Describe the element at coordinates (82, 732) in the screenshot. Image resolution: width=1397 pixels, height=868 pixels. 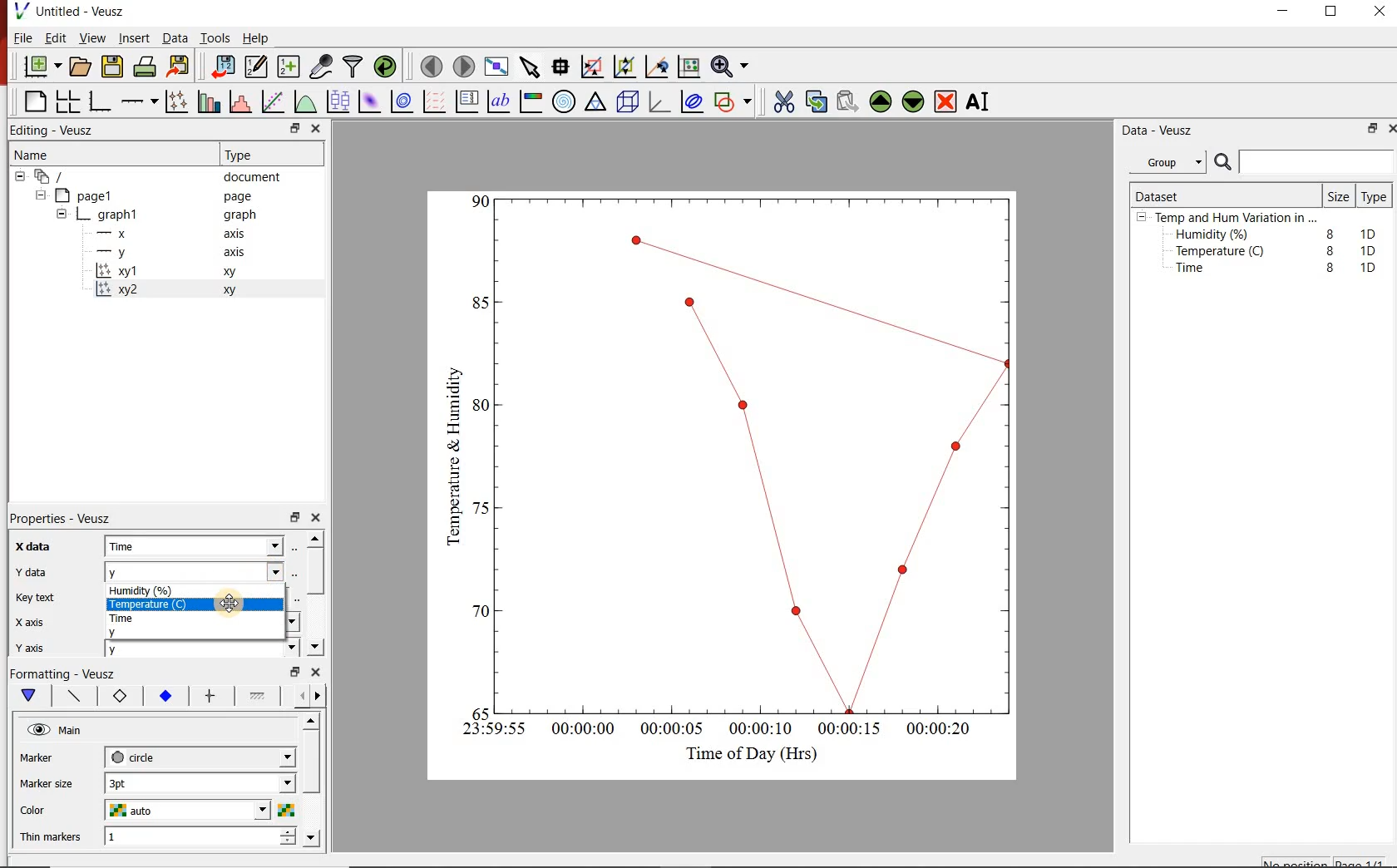
I see `Main` at that location.